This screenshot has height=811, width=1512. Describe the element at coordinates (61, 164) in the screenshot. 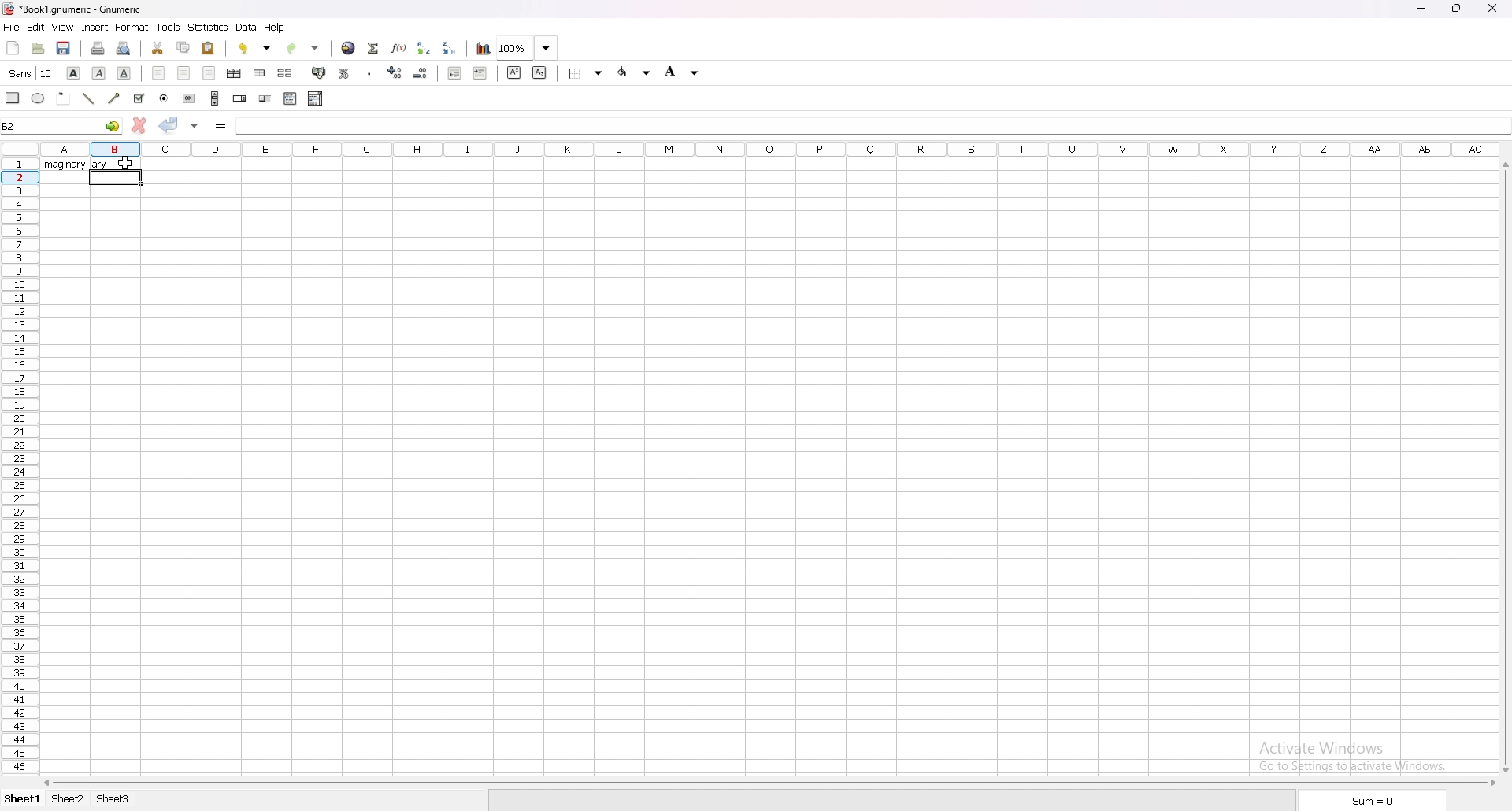

I see `word` at that location.